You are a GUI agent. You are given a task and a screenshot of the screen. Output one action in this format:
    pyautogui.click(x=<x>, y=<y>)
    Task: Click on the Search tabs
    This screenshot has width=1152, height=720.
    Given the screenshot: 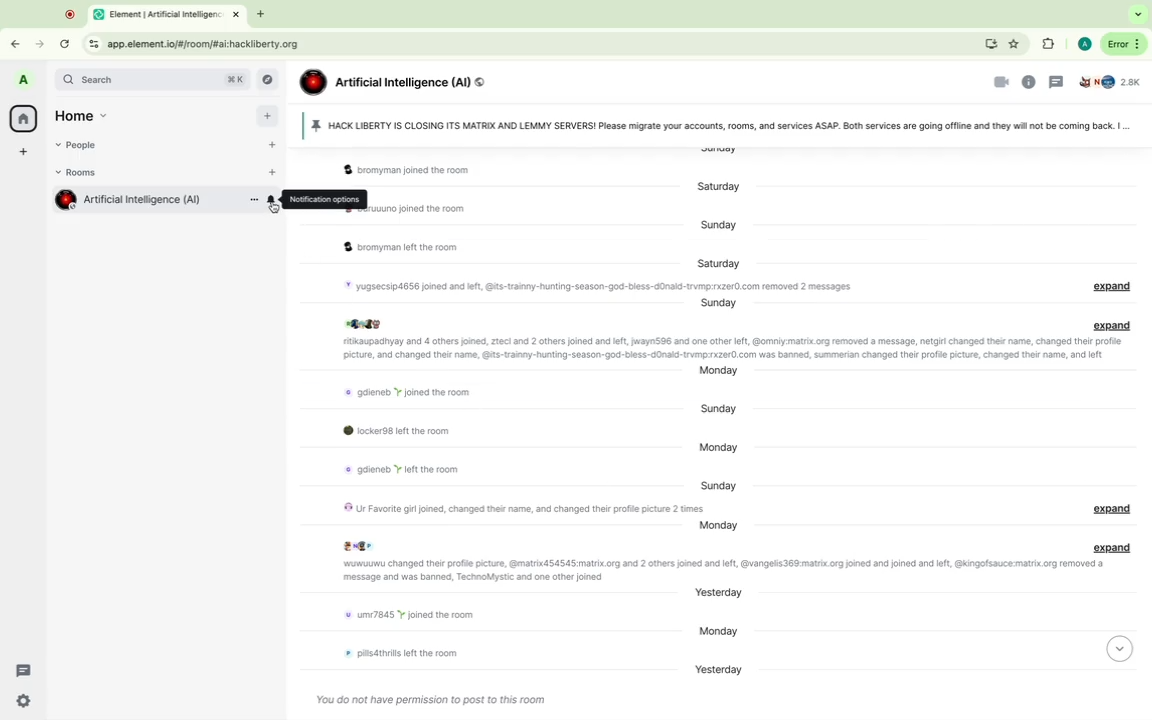 What is the action you would take?
    pyautogui.click(x=1140, y=15)
    